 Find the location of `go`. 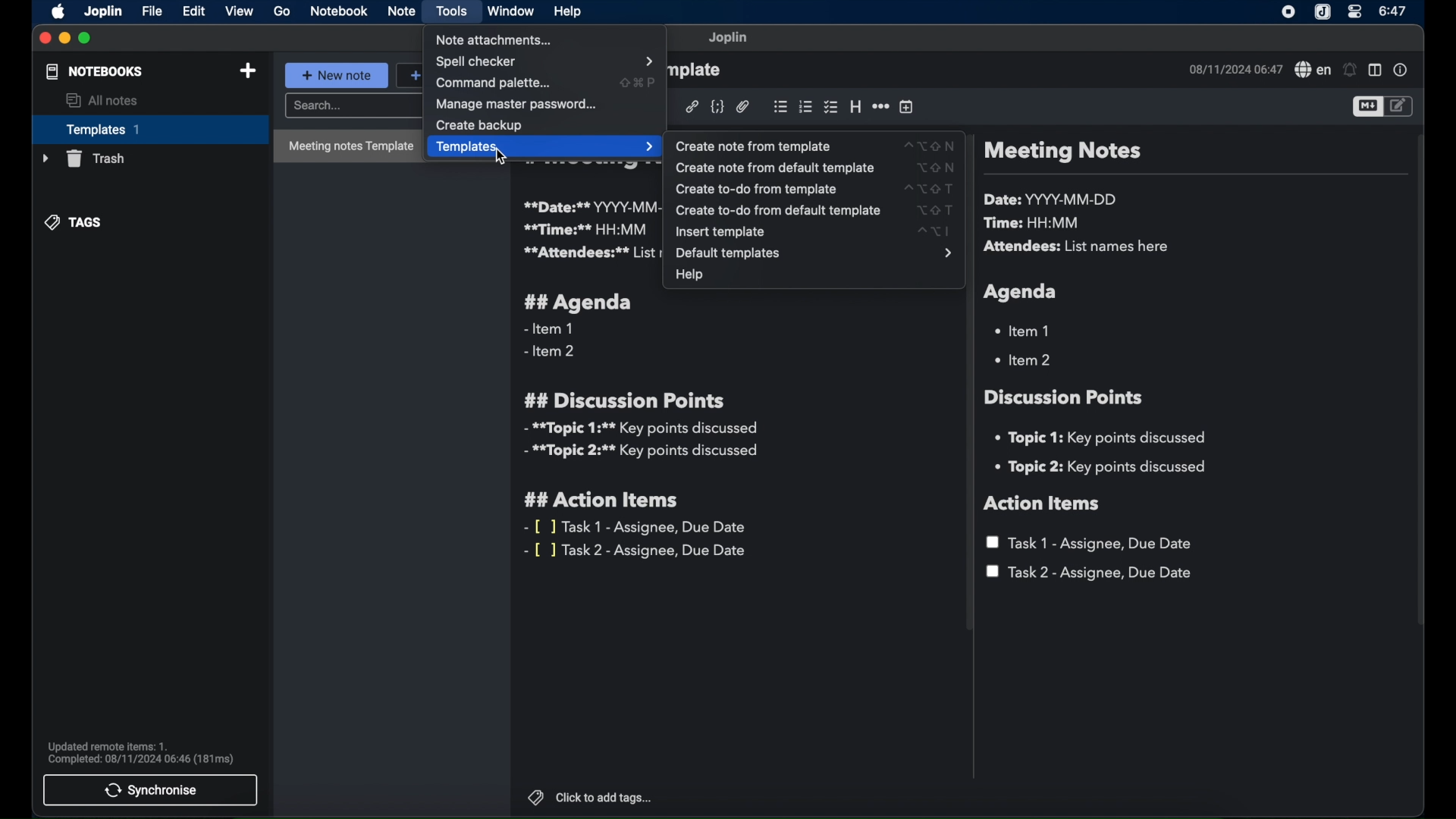

go is located at coordinates (282, 11).